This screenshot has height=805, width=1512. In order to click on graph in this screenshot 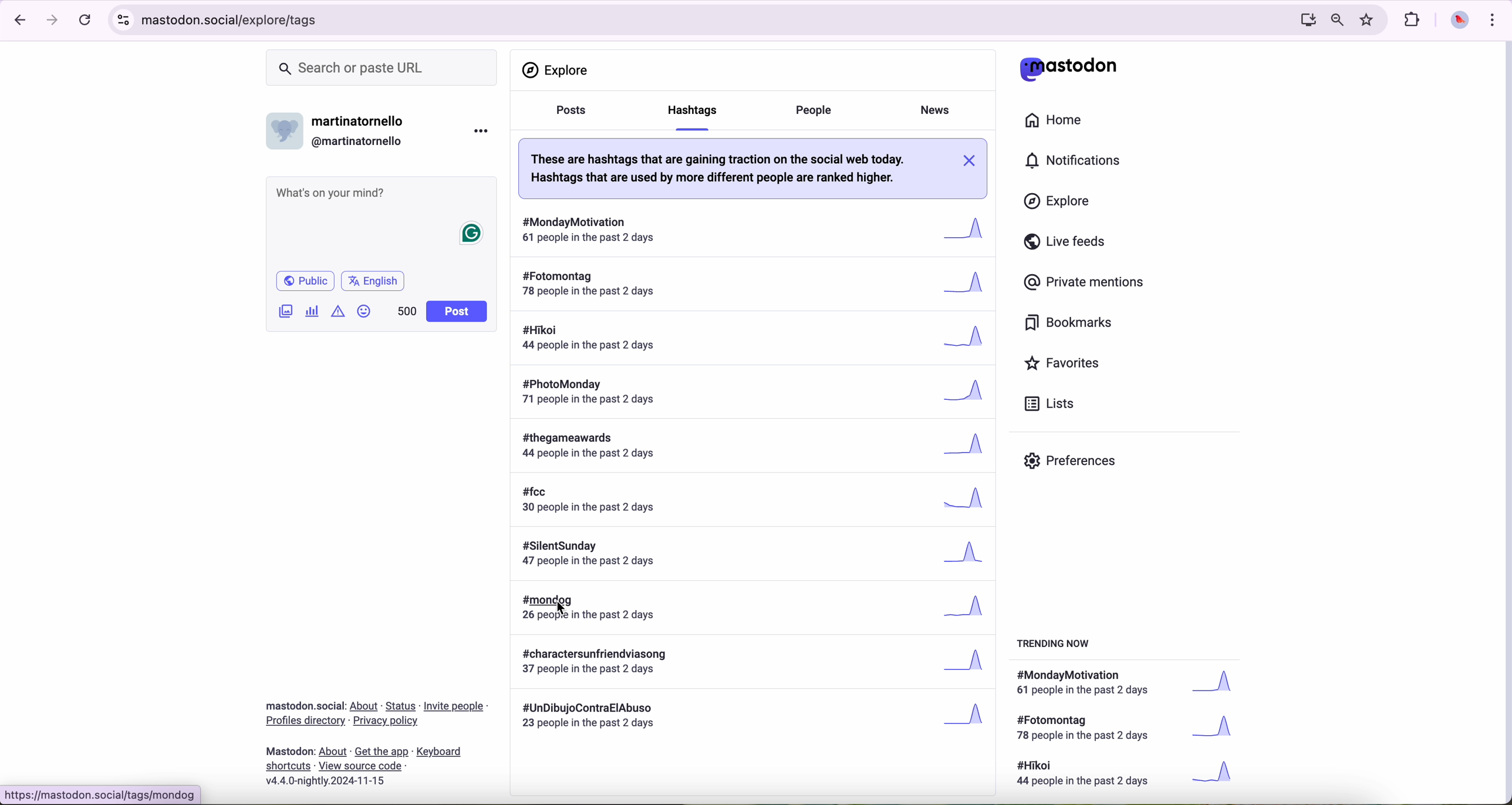, I will do `click(1221, 685)`.